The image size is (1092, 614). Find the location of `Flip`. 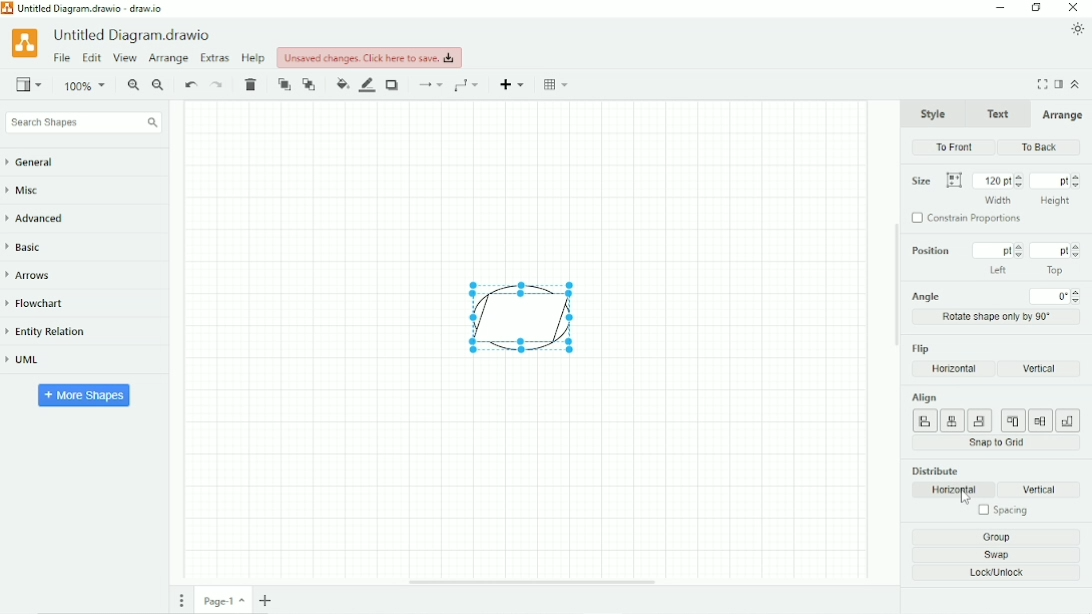

Flip is located at coordinates (922, 348).